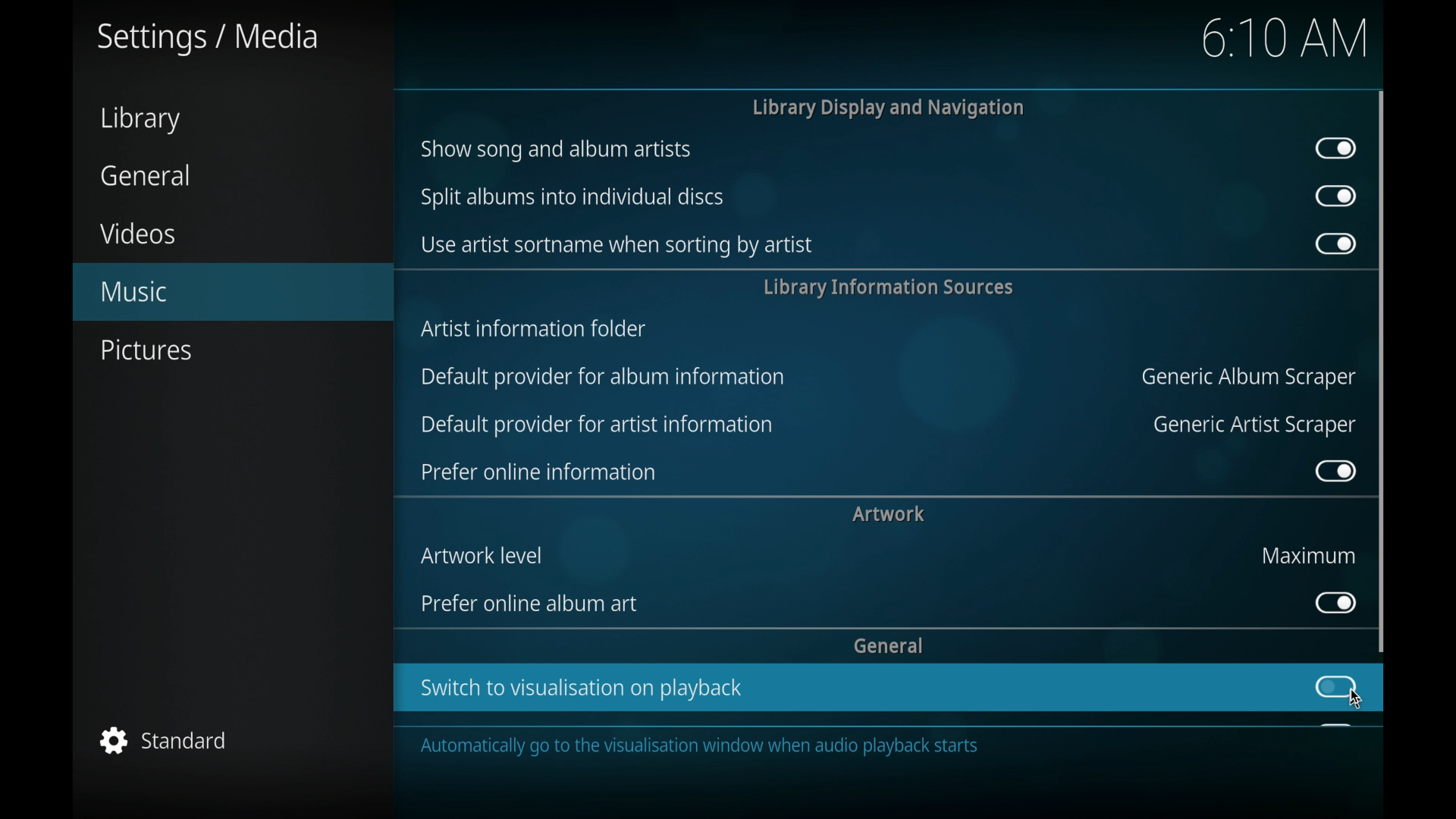  I want to click on library information sources, so click(886, 287).